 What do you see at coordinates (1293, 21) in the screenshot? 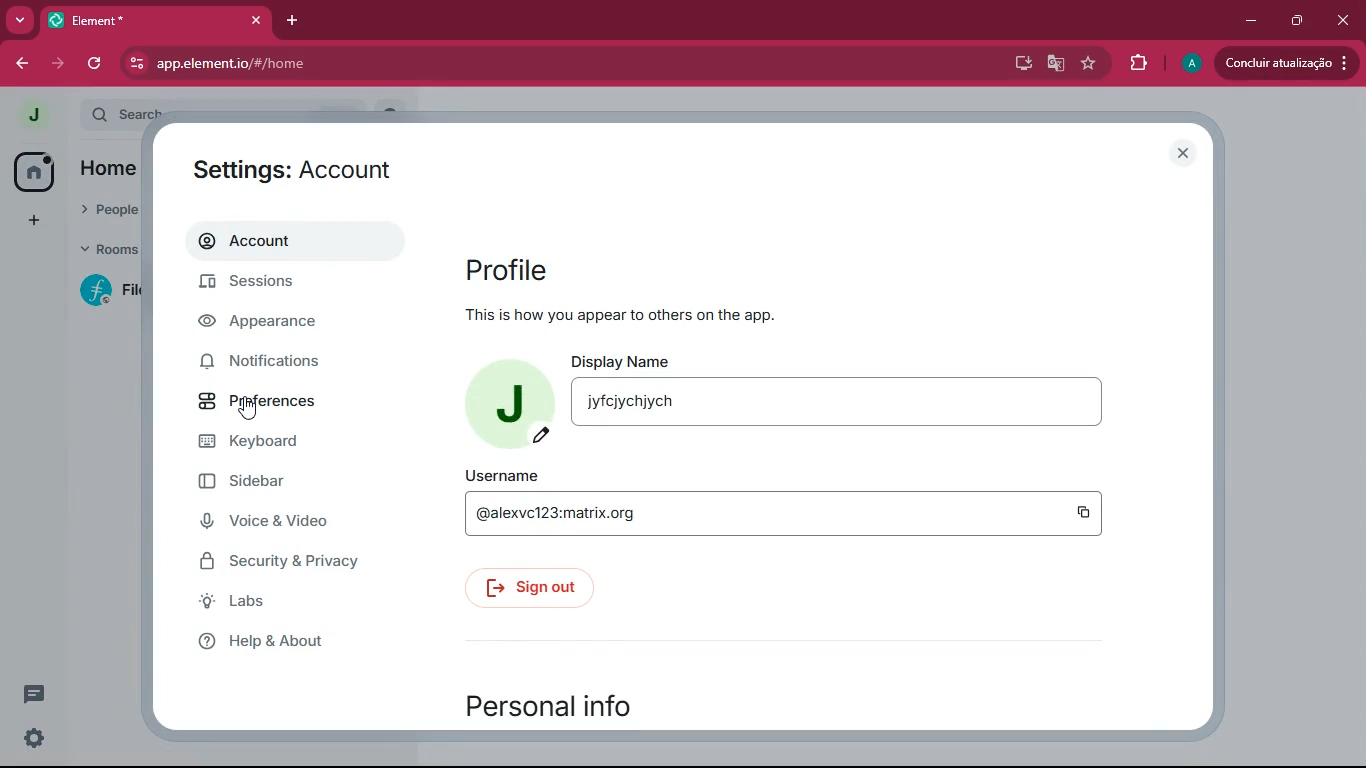
I see `maximize` at bounding box center [1293, 21].